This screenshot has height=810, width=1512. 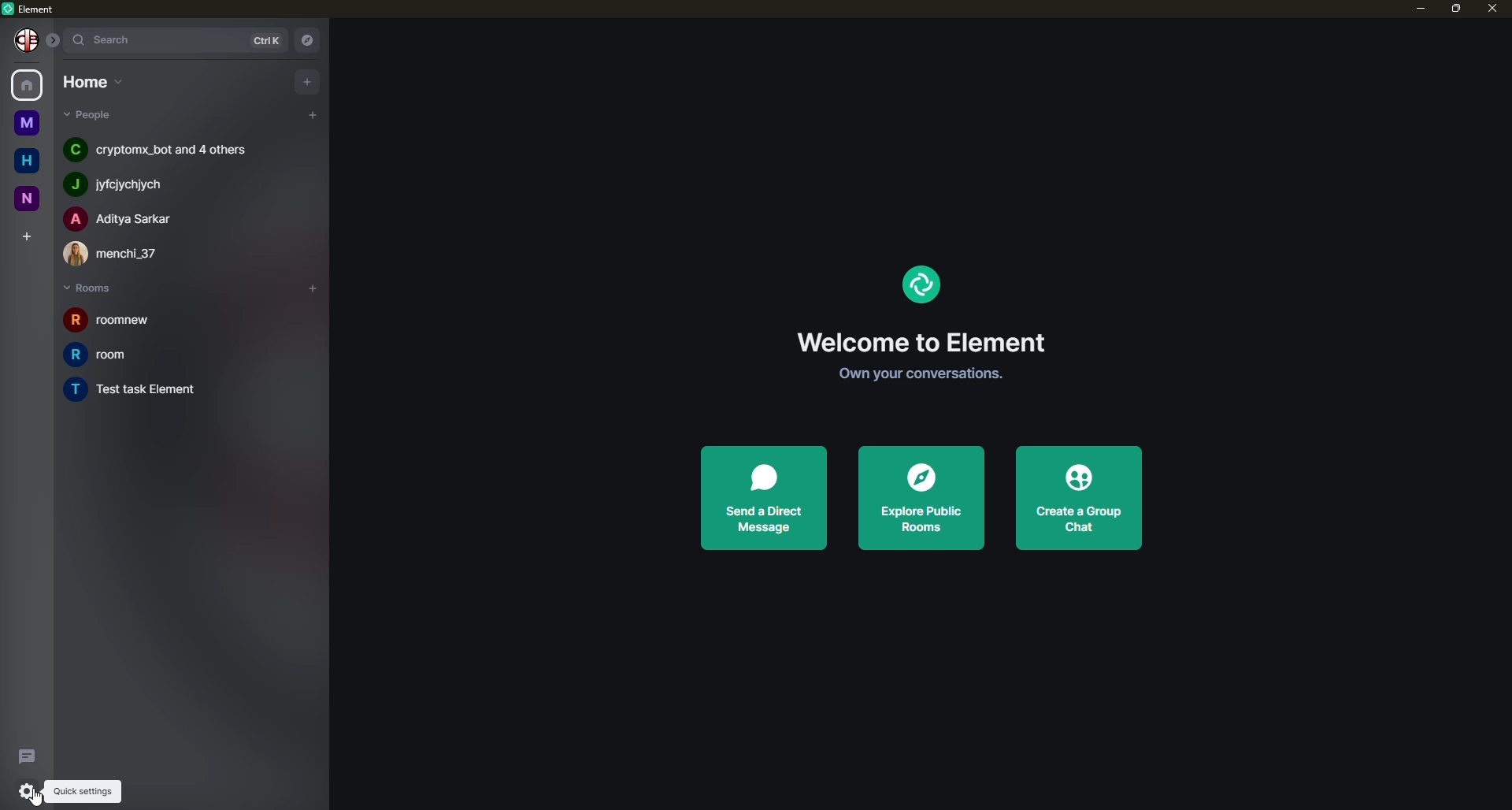 What do you see at coordinates (1411, 9) in the screenshot?
I see `minimize` at bounding box center [1411, 9].